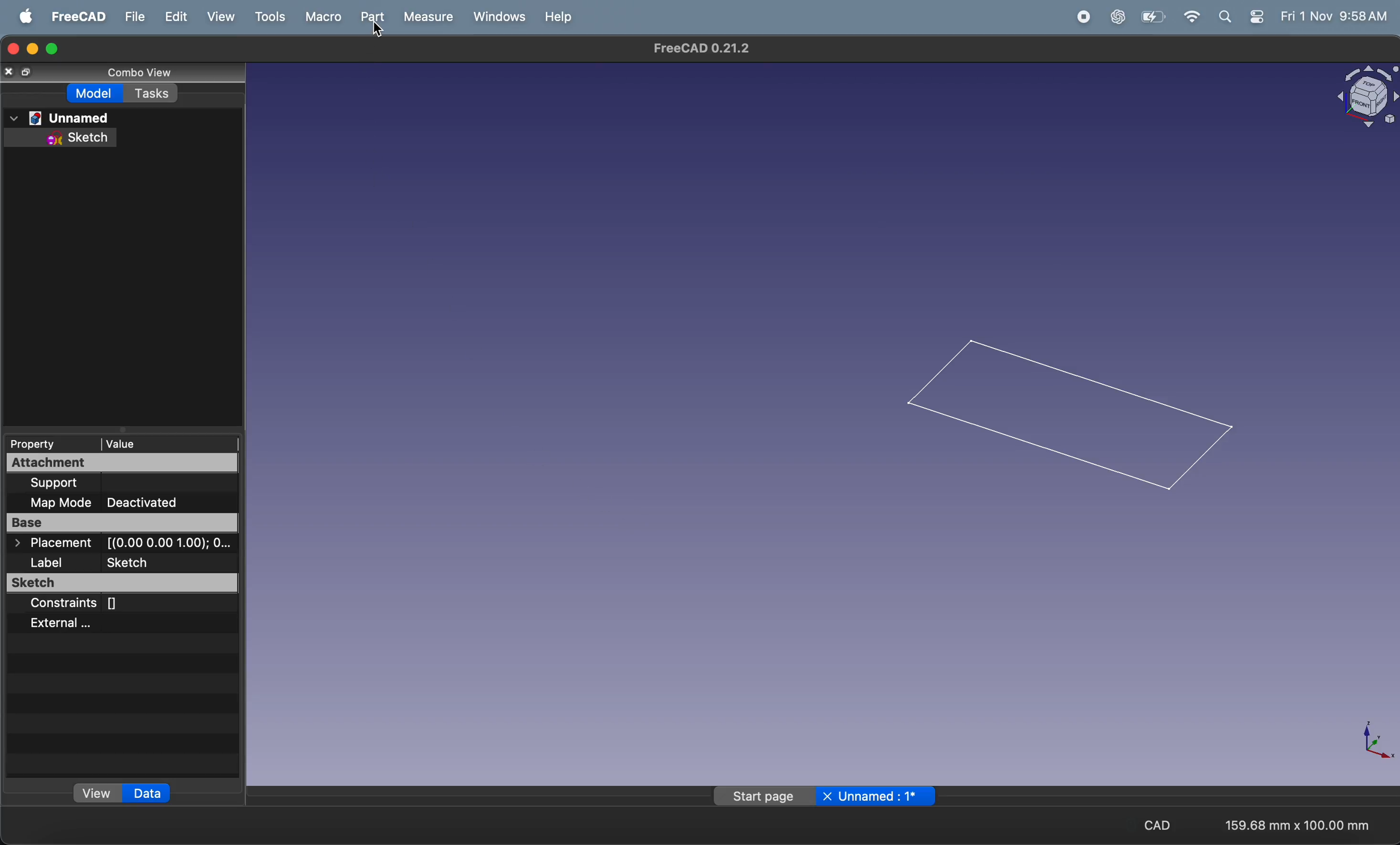 The image size is (1400, 845). What do you see at coordinates (699, 48) in the screenshot?
I see `freeca title` at bounding box center [699, 48].